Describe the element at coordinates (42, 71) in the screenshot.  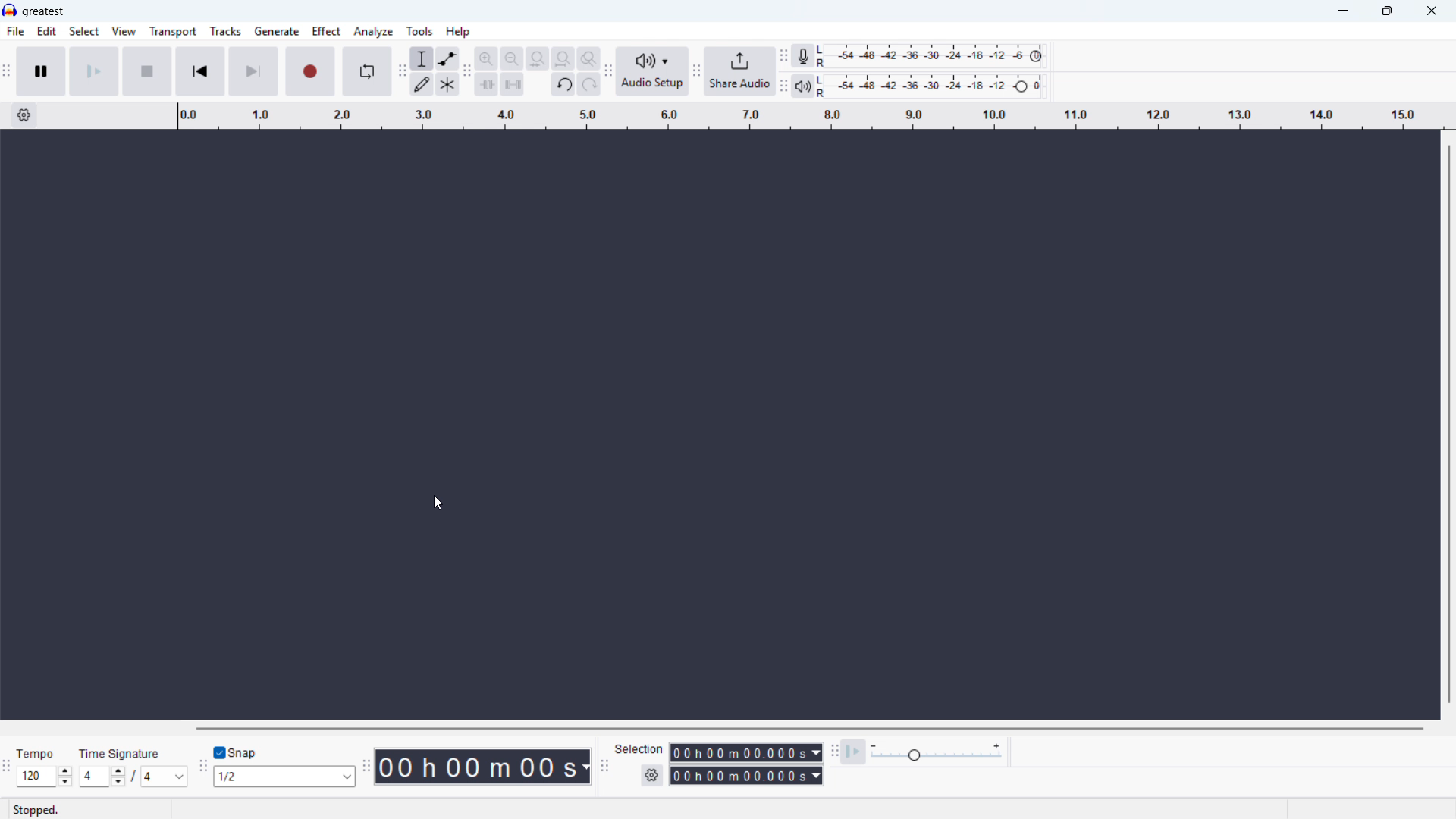
I see `Pause ` at that location.